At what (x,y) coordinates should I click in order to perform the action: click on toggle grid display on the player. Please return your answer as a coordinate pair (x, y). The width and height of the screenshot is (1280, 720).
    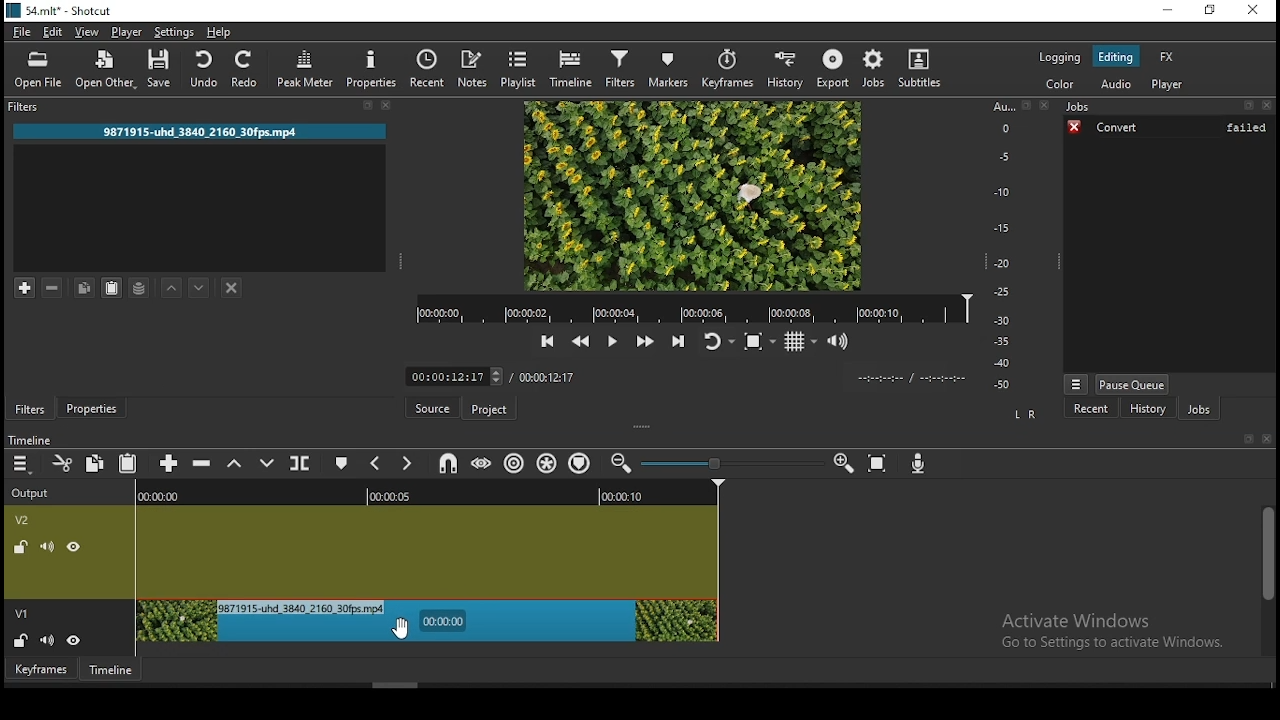
    Looking at the image, I should click on (800, 343).